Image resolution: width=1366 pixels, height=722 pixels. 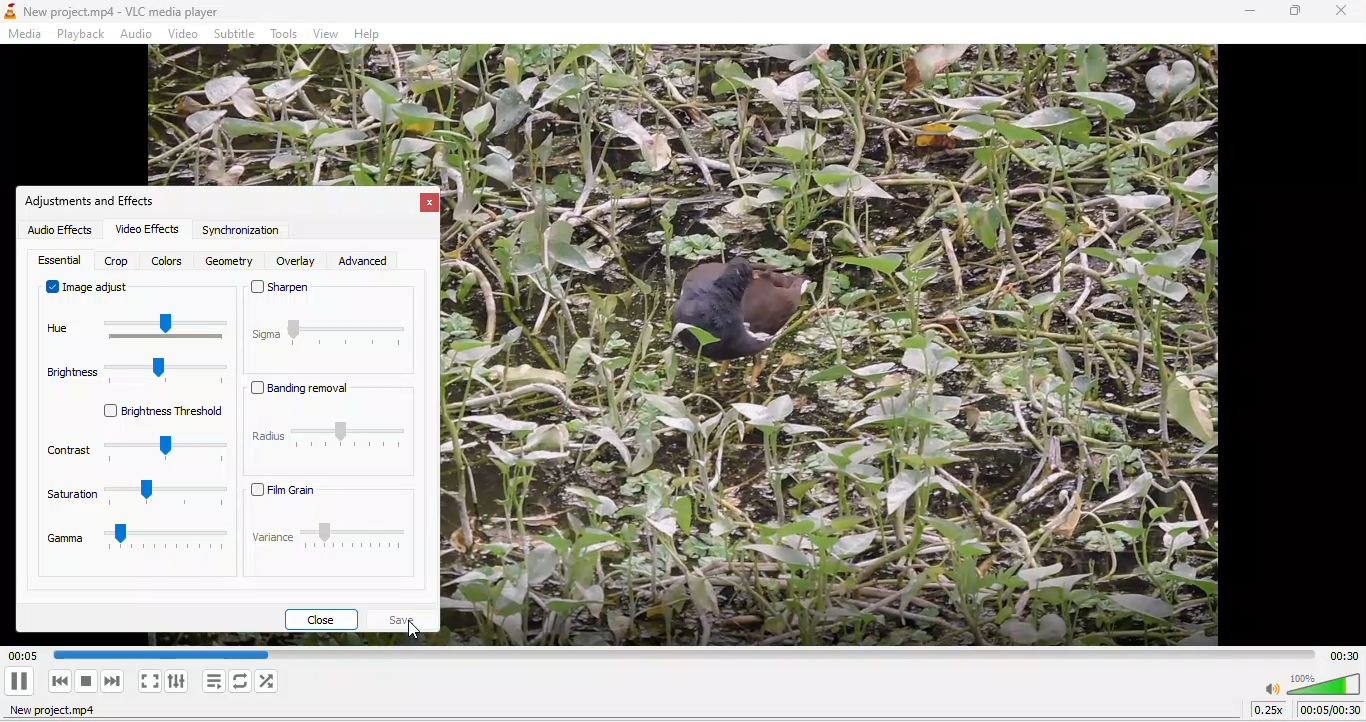 What do you see at coordinates (1311, 684) in the screenshot?
I see `speakers` at bounding box center [1311, 684].